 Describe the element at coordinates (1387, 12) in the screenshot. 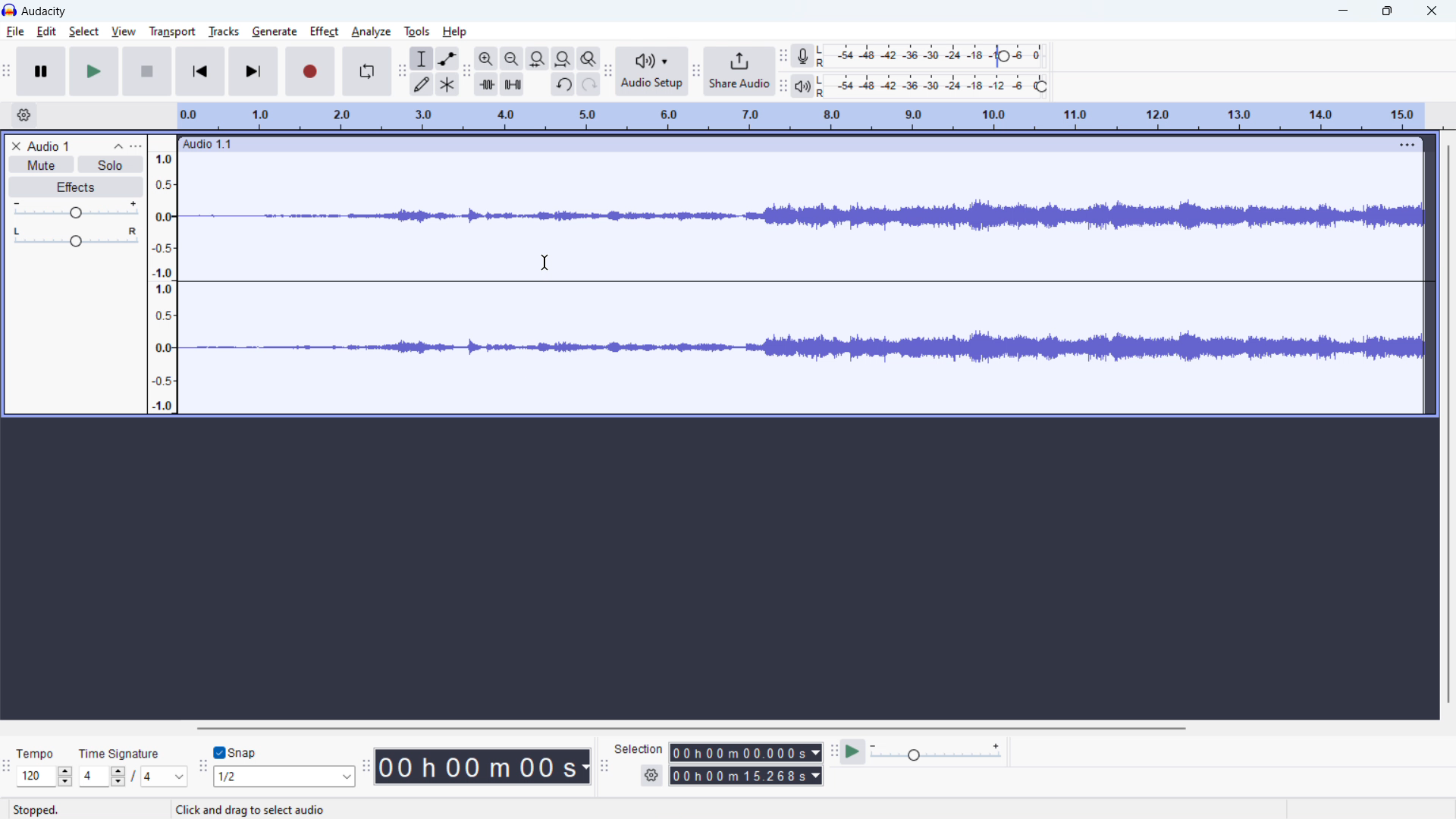

I see `maximize` at that location.